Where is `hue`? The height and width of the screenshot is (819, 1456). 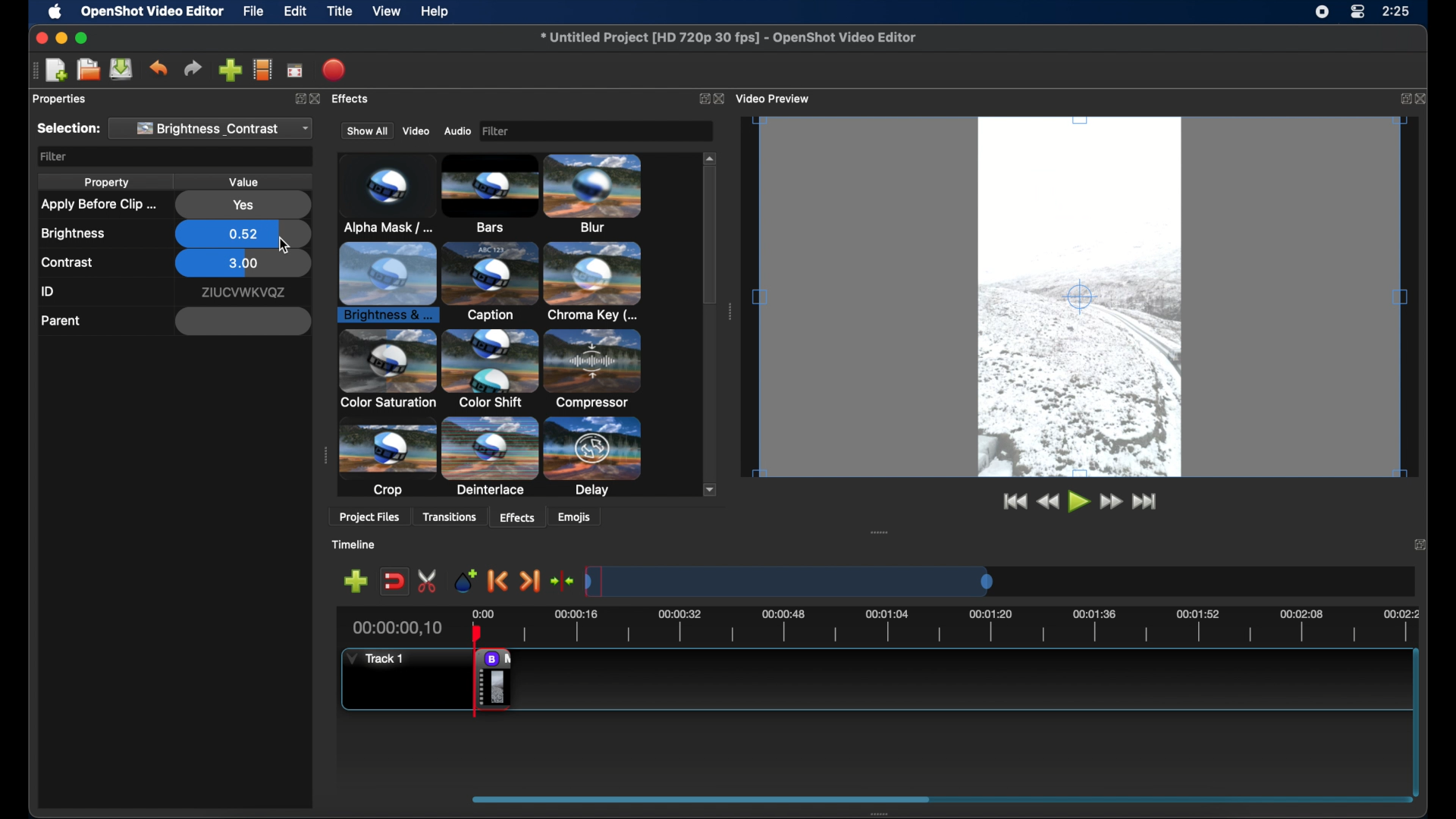 hue is located at coordinates (597, 456).